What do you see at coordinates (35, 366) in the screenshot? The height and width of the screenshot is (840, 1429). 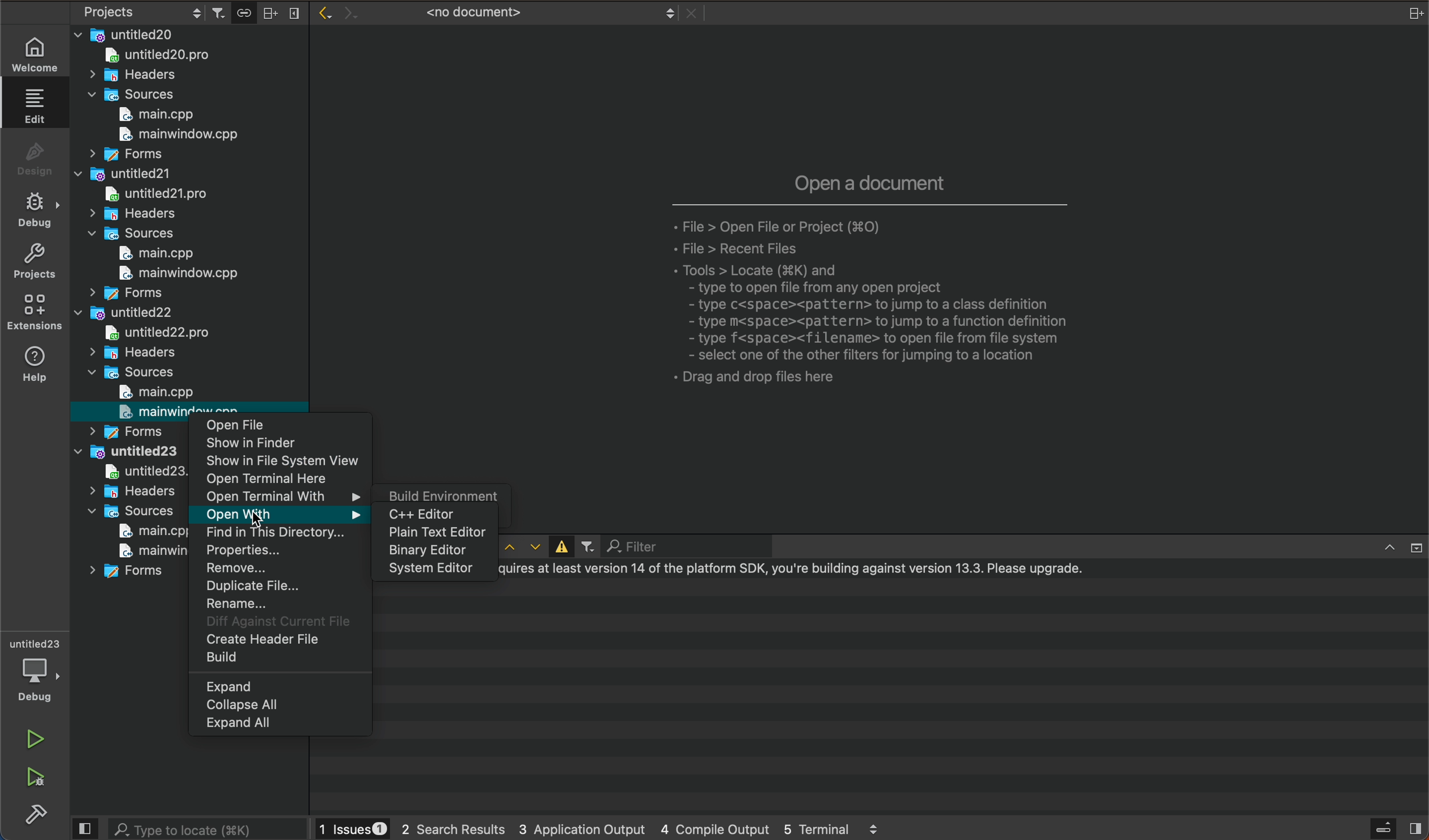 I see `help` at bounding box center [35, 366].